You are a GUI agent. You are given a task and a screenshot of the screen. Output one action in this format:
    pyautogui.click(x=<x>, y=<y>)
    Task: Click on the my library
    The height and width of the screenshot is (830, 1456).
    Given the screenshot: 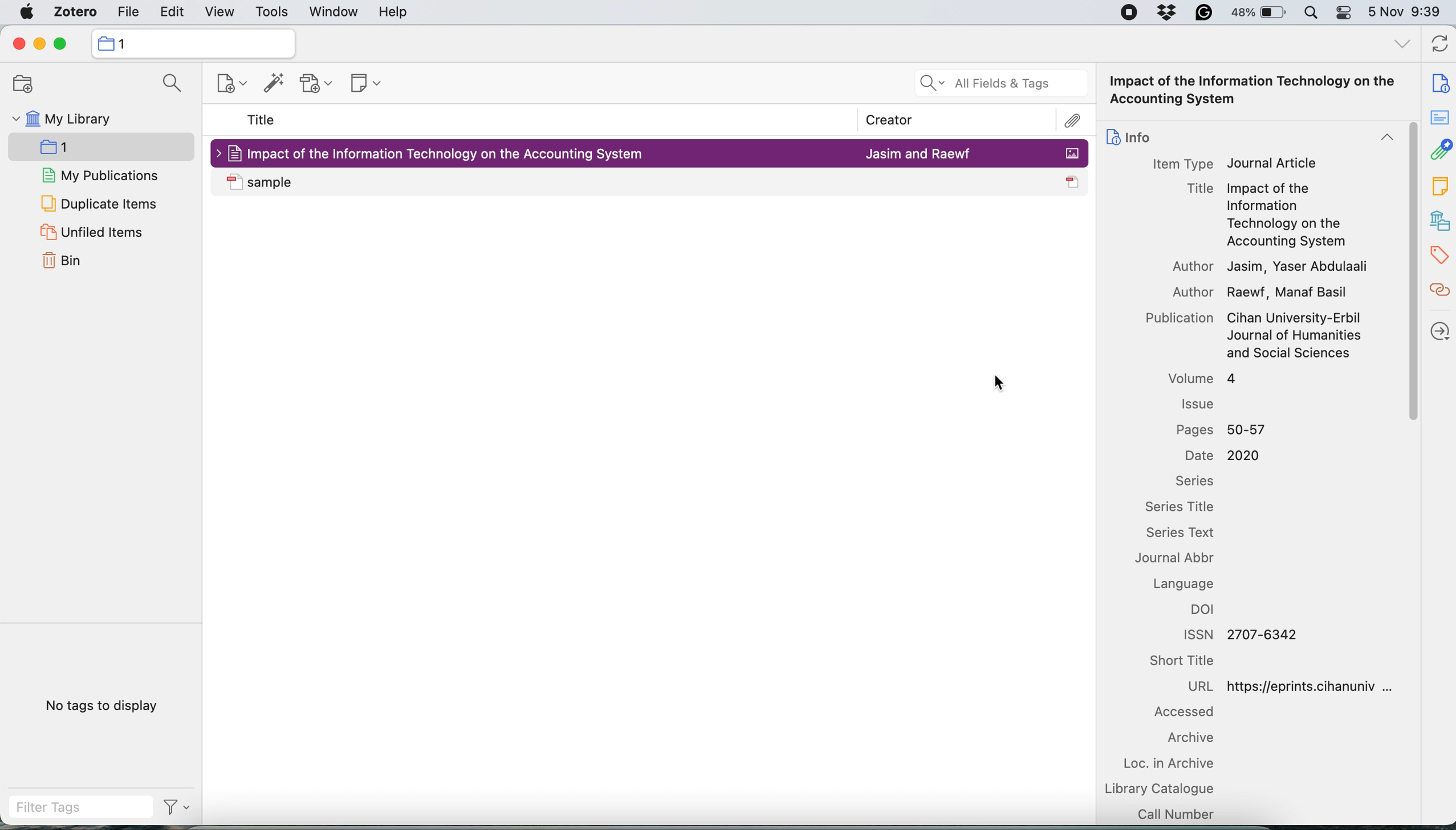 What is the action you would take?
    pyautogui.click(x=74, y=119)
    